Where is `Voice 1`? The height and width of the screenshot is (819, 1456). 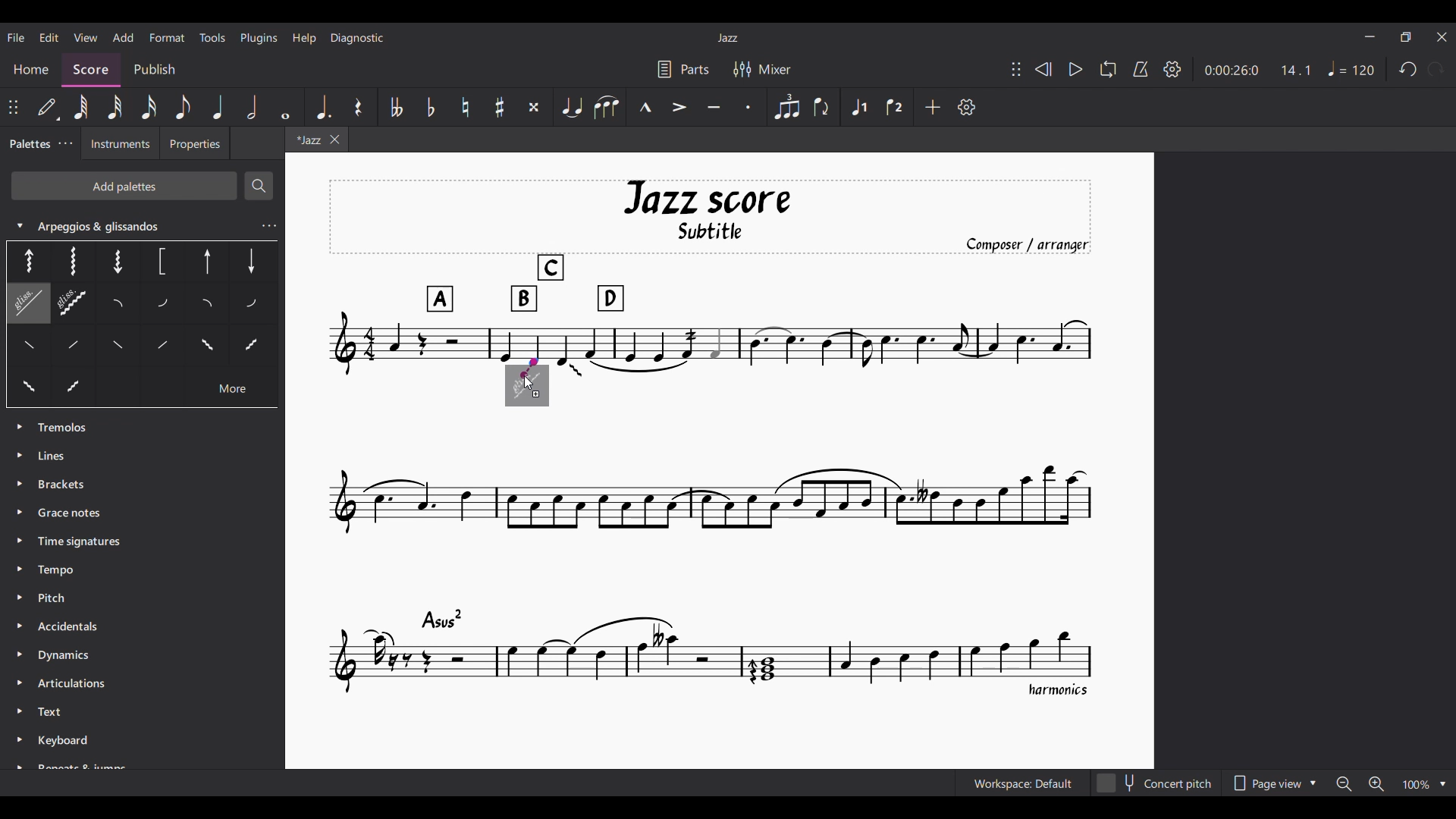
Voice 1 is located at coordinates (859, 106).